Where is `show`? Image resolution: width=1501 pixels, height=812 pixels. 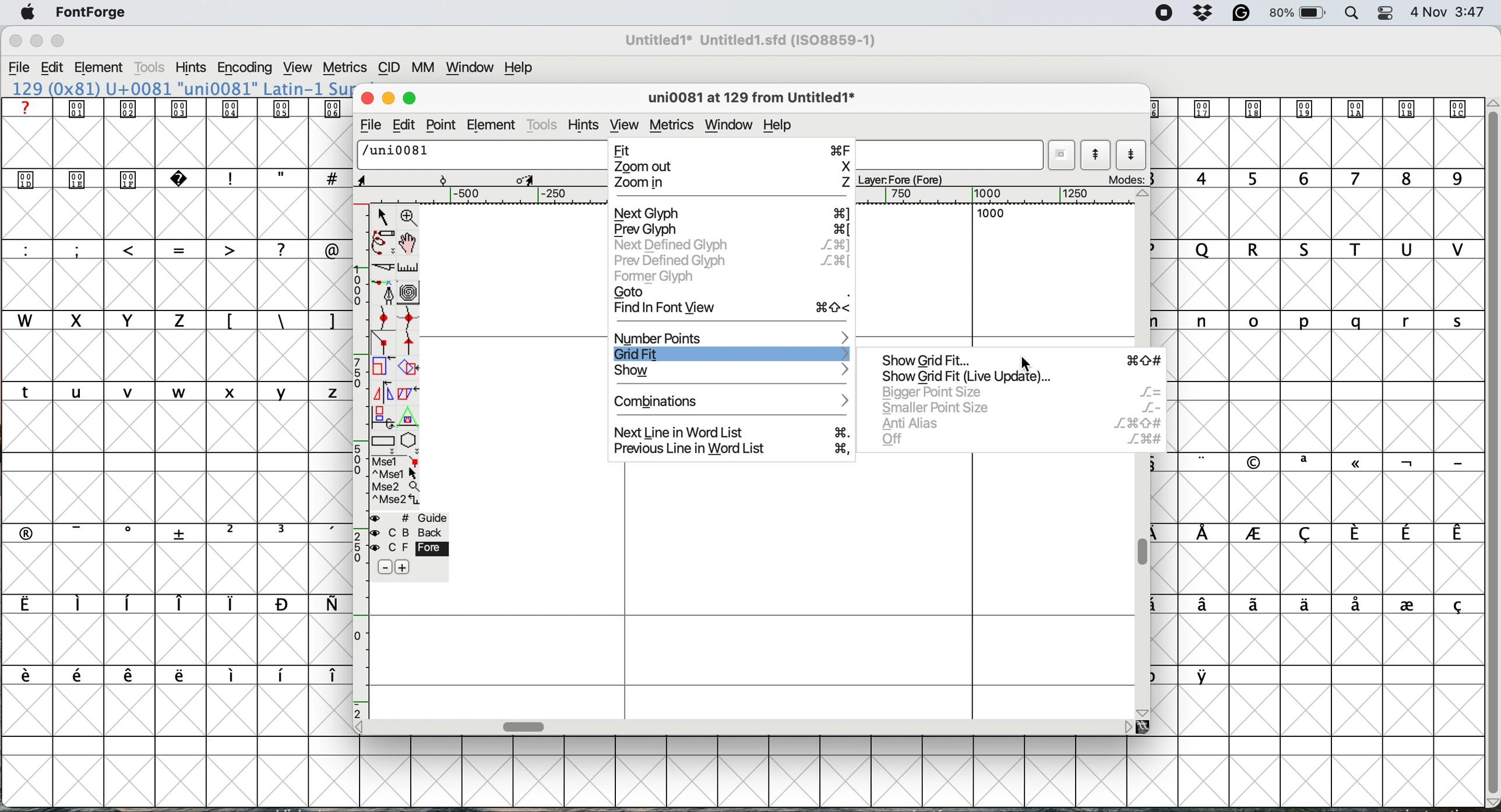 show is located at coordinates (732, 372).